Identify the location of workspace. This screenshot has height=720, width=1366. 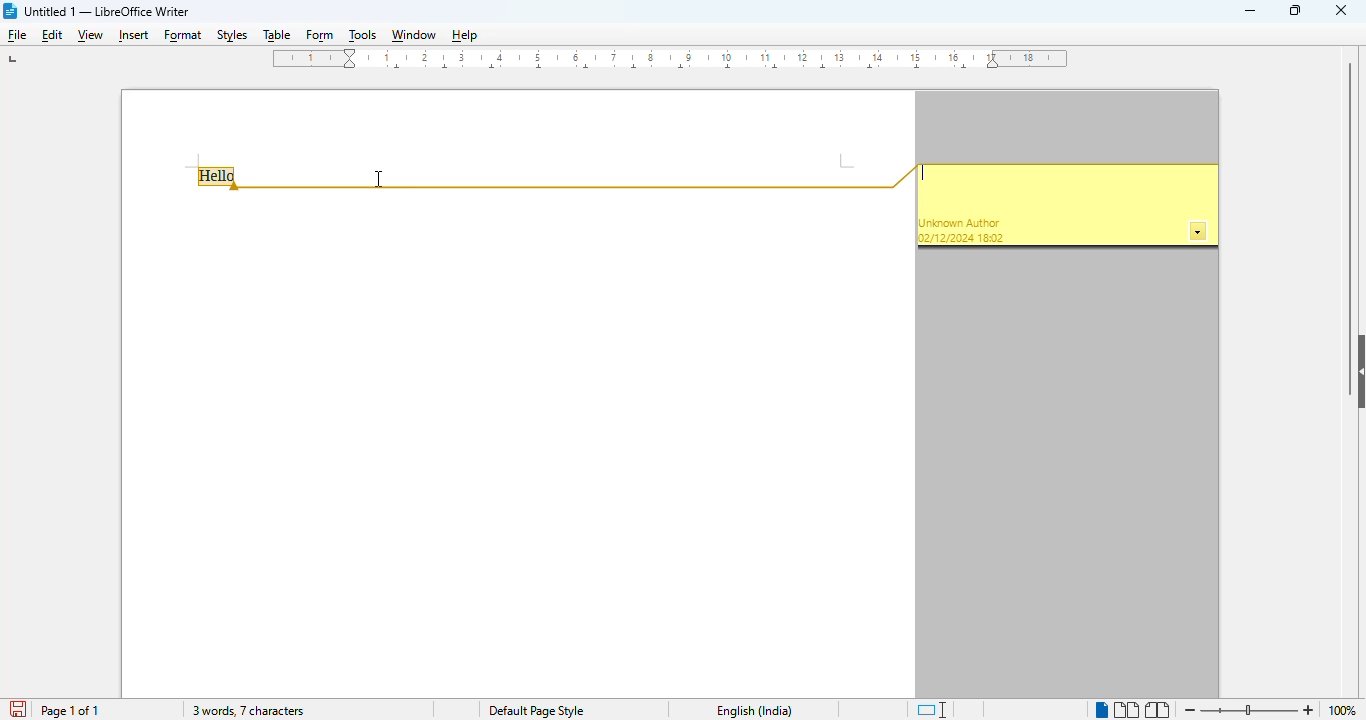
(516, 445).